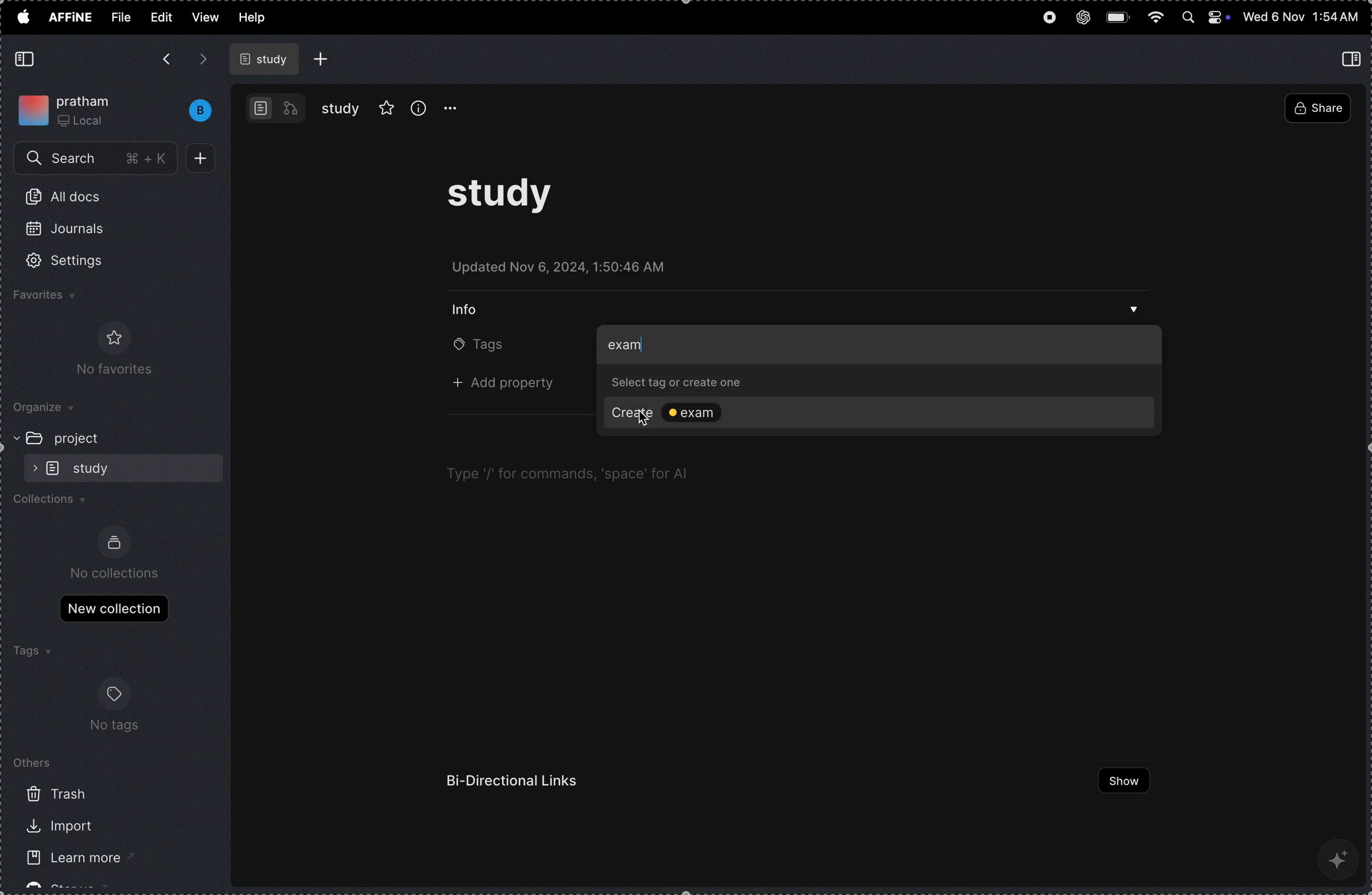  Describe the element at coordinates (266, 59) in the screenshot. I see `study file` at that location.